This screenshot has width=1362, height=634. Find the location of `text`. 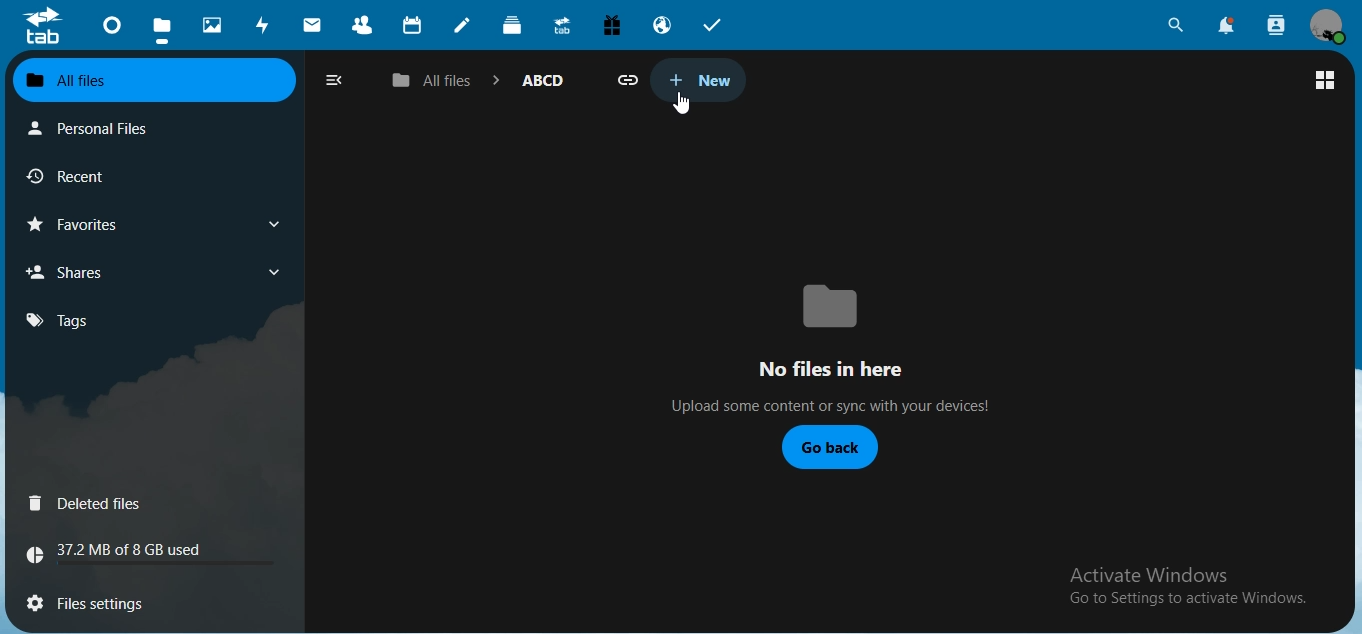

text is located at coordinates (125, 553).